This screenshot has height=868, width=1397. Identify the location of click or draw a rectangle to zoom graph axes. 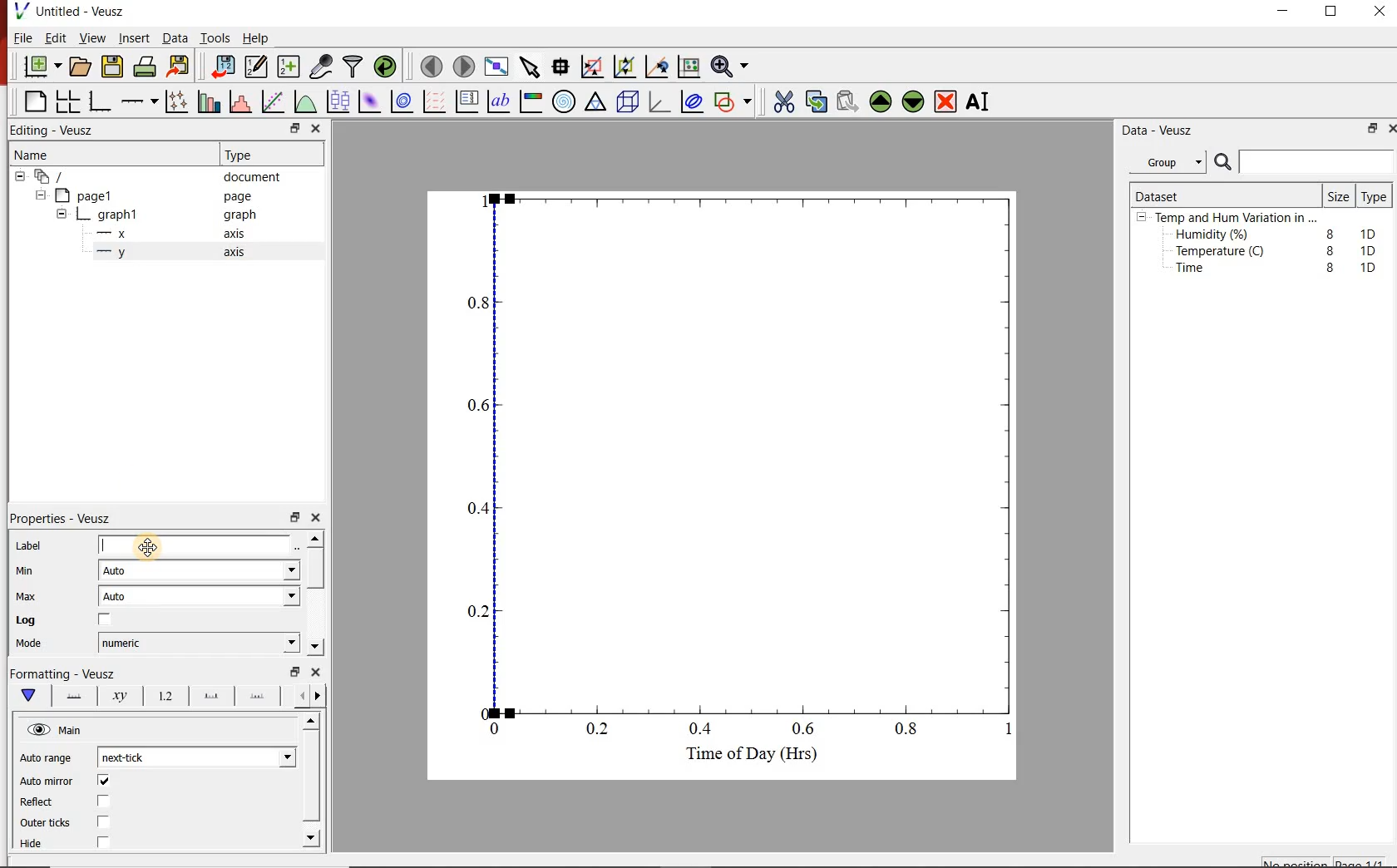
(595, 67).